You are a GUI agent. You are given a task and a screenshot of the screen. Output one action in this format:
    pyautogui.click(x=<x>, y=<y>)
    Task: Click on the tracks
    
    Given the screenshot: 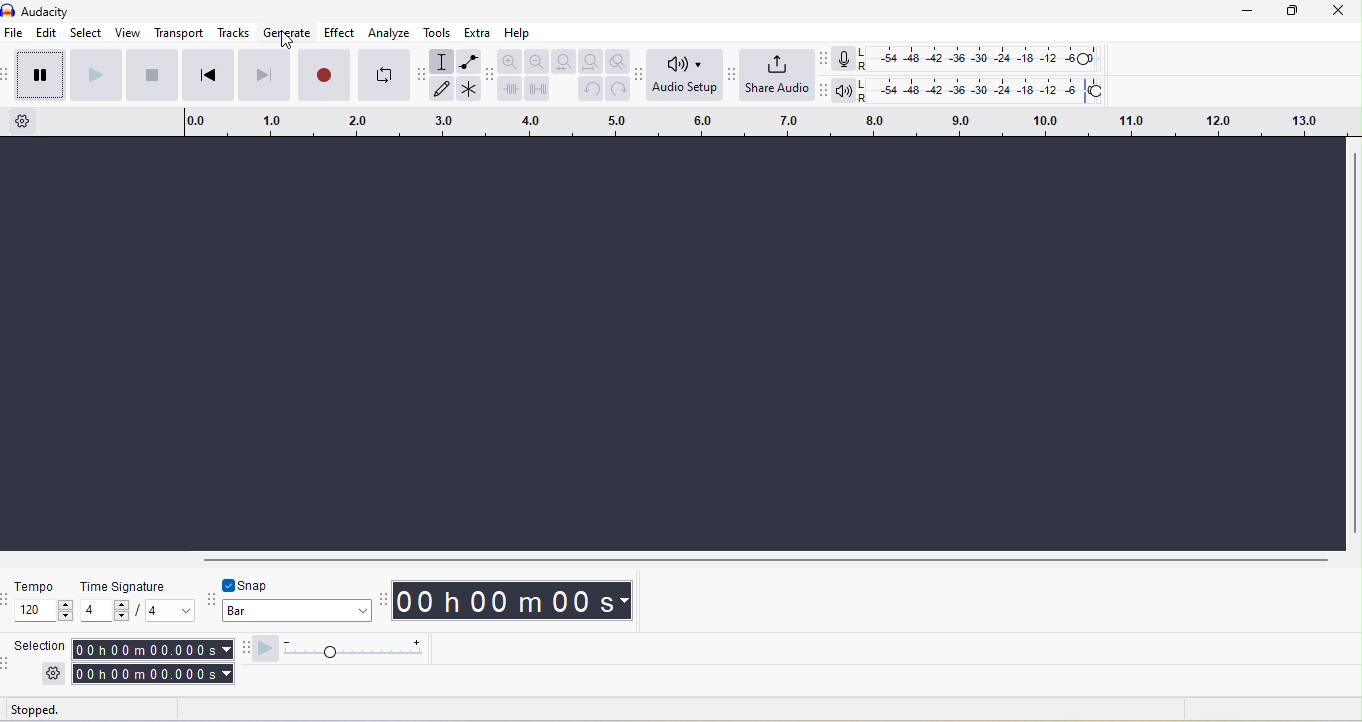 What is the action you would take?
    pyautogui.click(x=233, y=33)
    